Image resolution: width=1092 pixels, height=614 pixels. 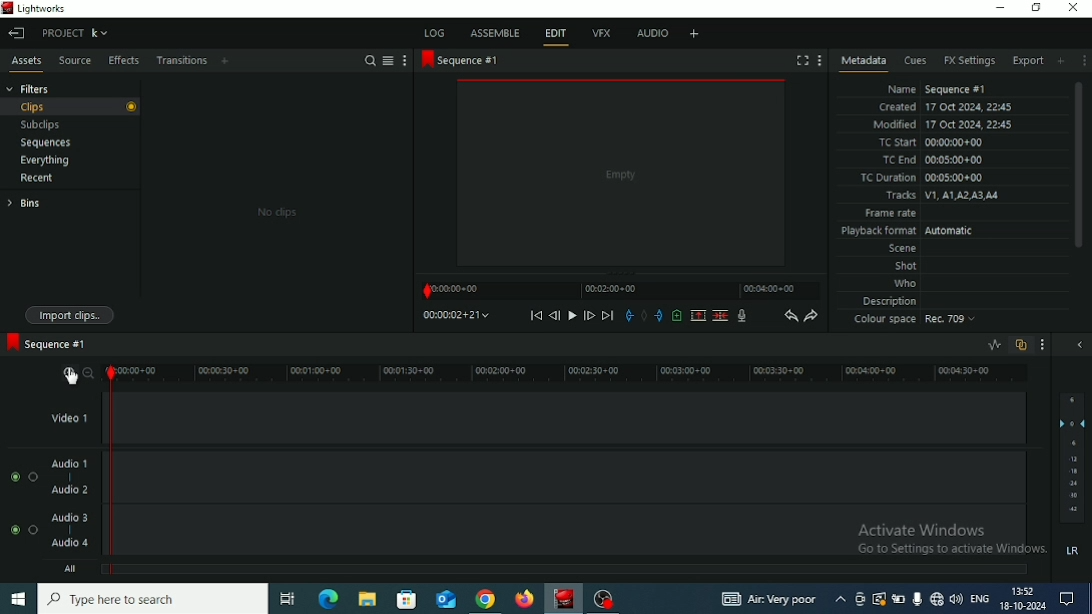 I want to click on Show/hide the full audio mix, so click(x=1079, y=344).